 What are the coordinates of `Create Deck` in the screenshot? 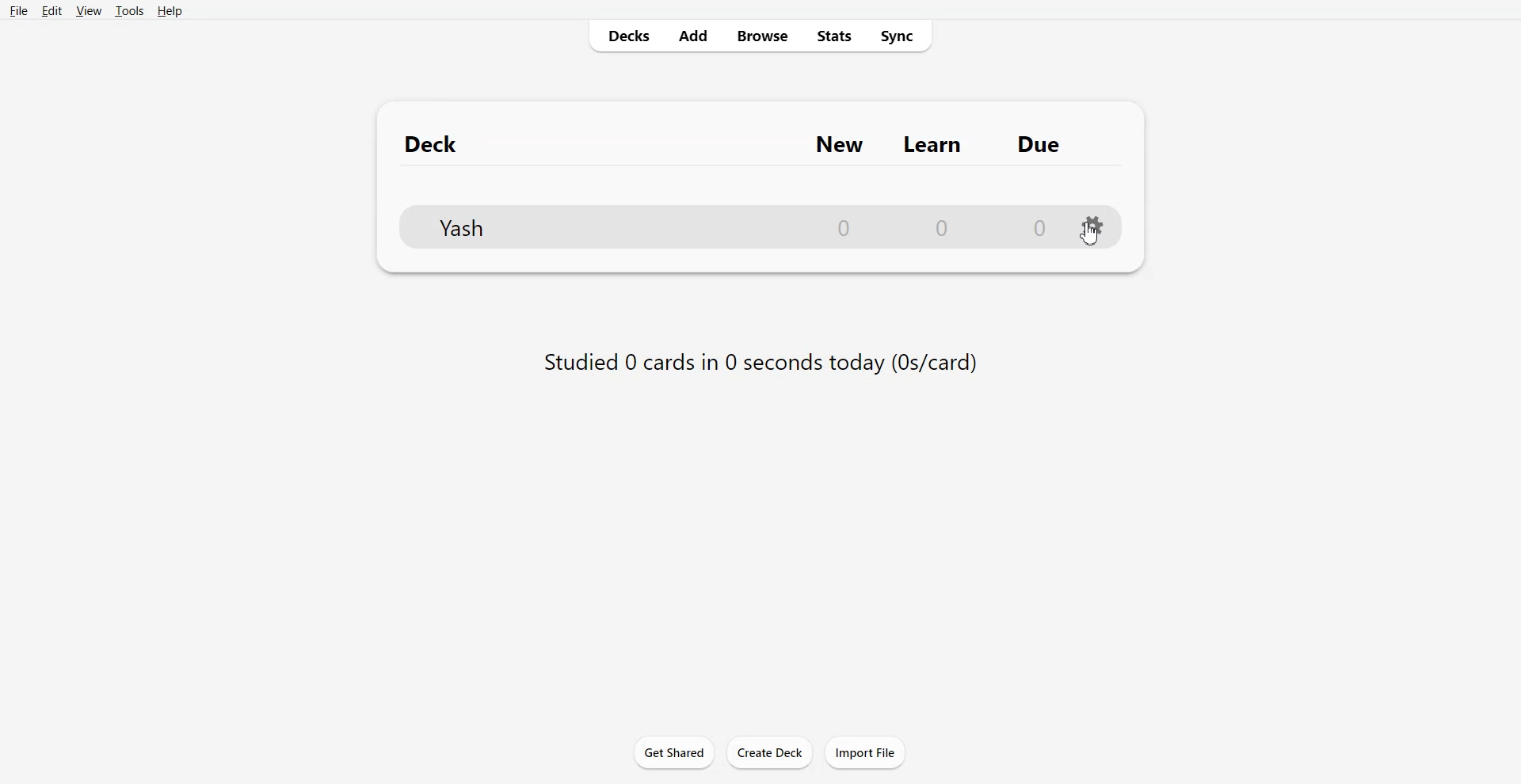 It's located at (769, 752).